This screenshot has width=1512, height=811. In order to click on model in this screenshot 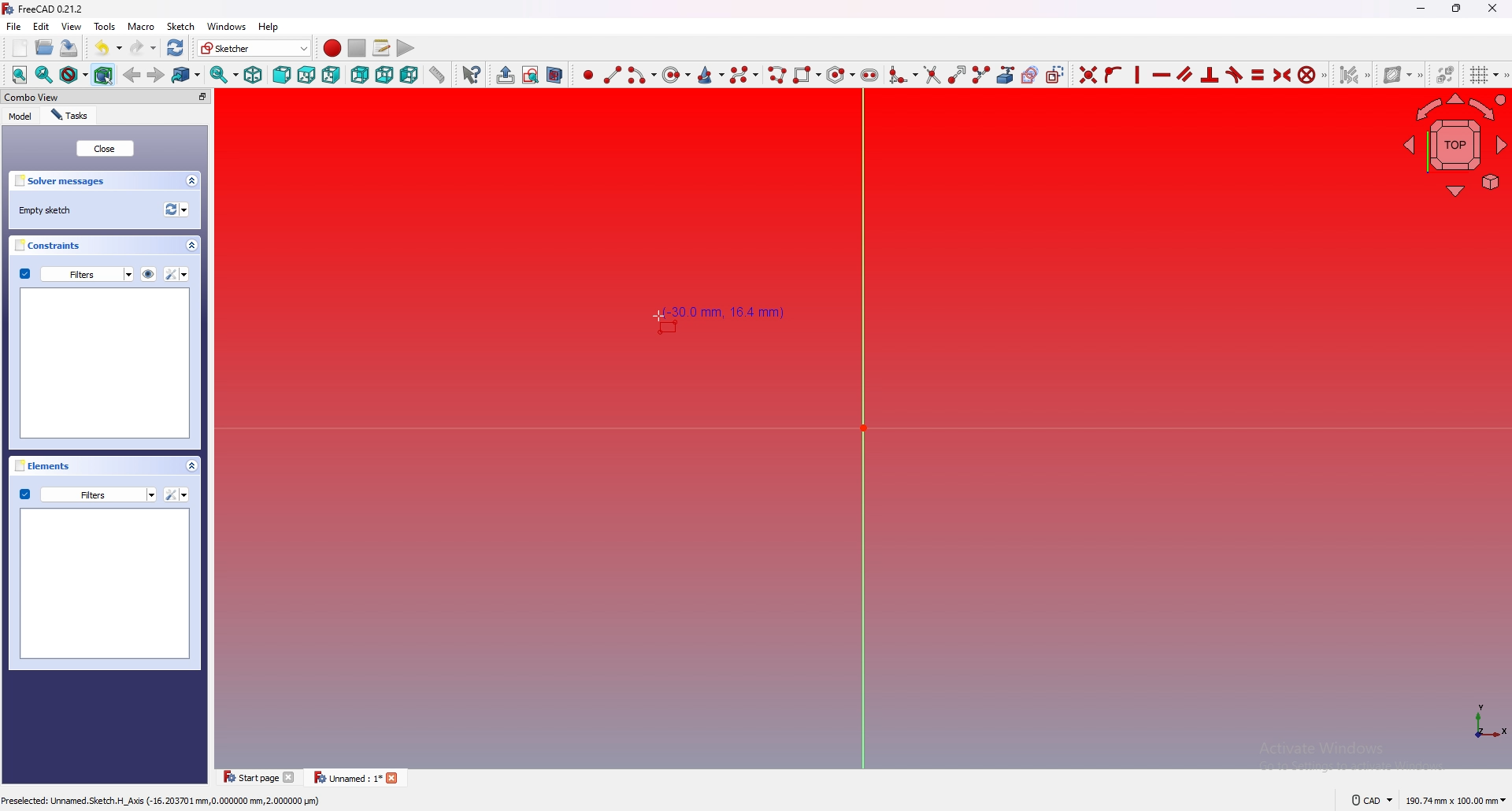, I will do `click(21, 117)`.